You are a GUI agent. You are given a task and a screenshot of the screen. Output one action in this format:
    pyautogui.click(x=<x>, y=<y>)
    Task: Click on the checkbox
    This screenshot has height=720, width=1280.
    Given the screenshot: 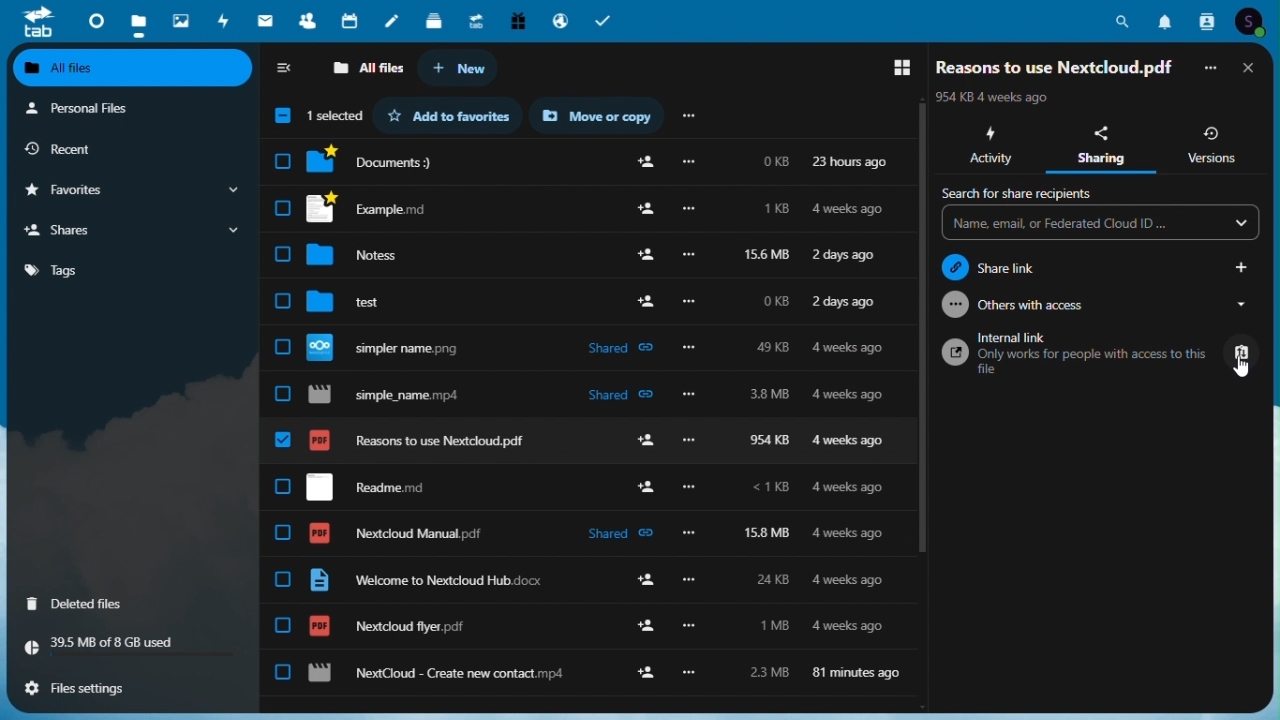 What is the action you would take?
    pyautogui.click(x=283, y=253)
    